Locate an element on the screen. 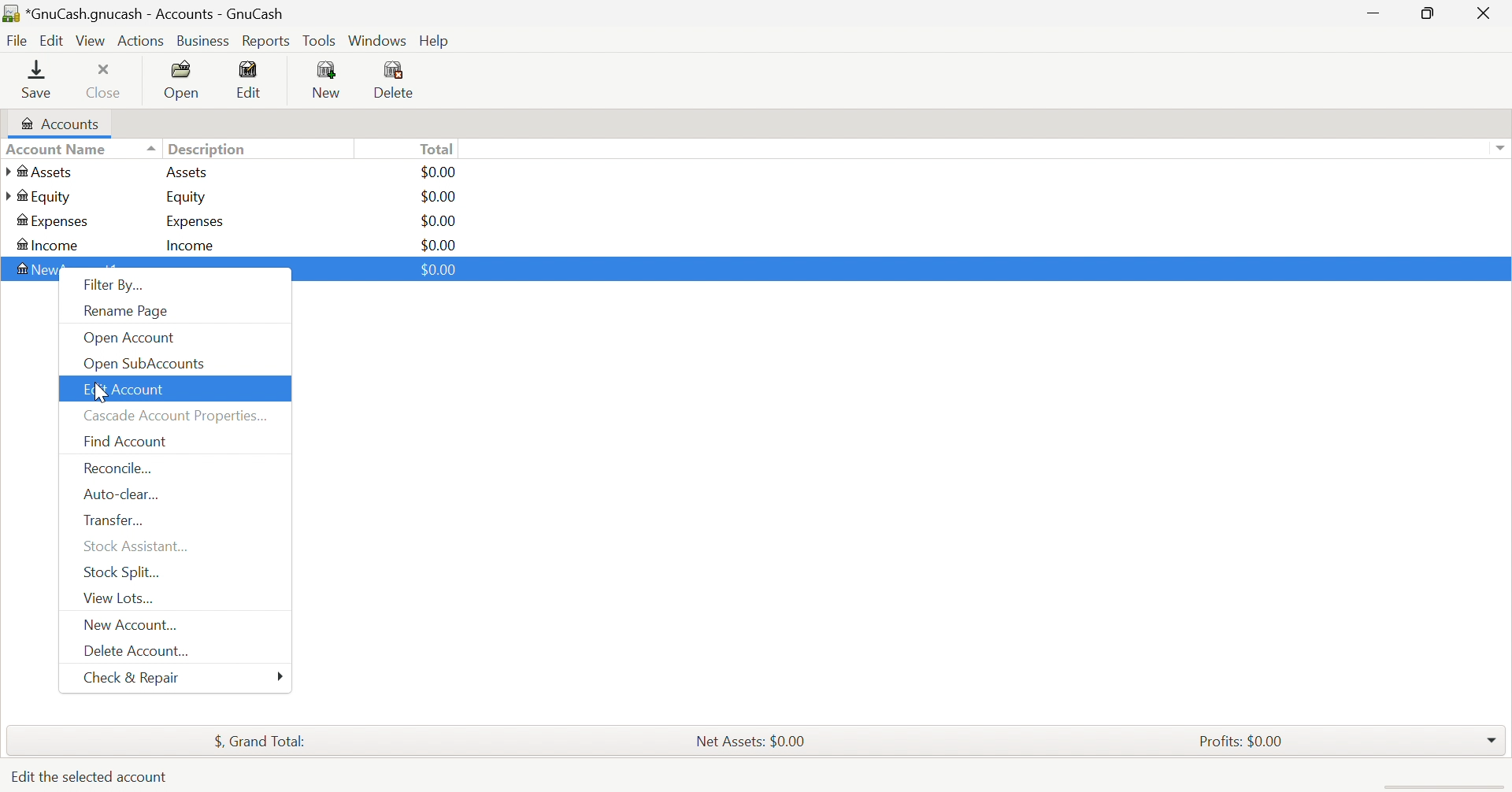  Expenses is located at coordinates (193, 220).